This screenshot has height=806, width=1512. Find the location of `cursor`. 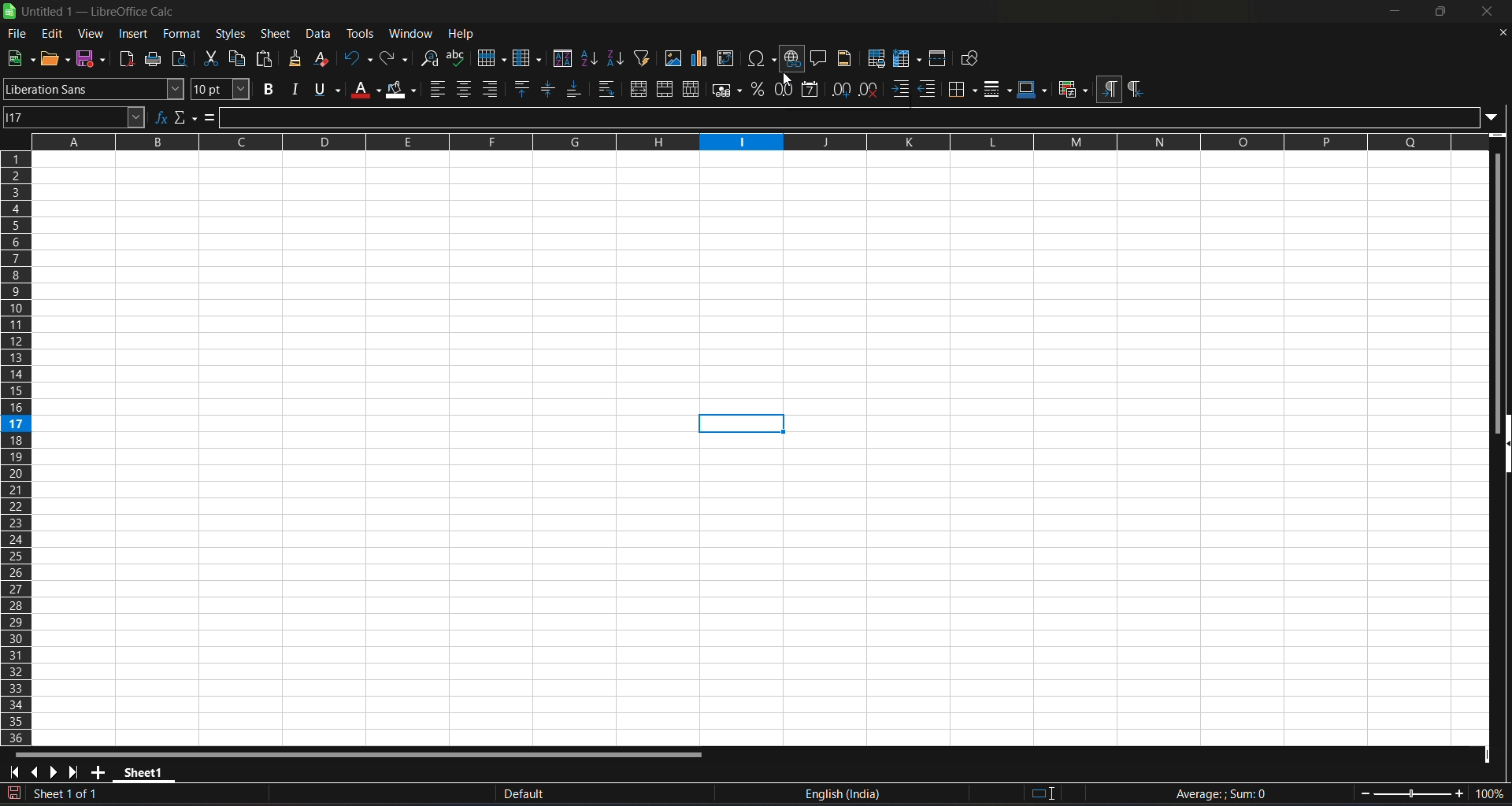

cursor is located at coordinates (786, 78).